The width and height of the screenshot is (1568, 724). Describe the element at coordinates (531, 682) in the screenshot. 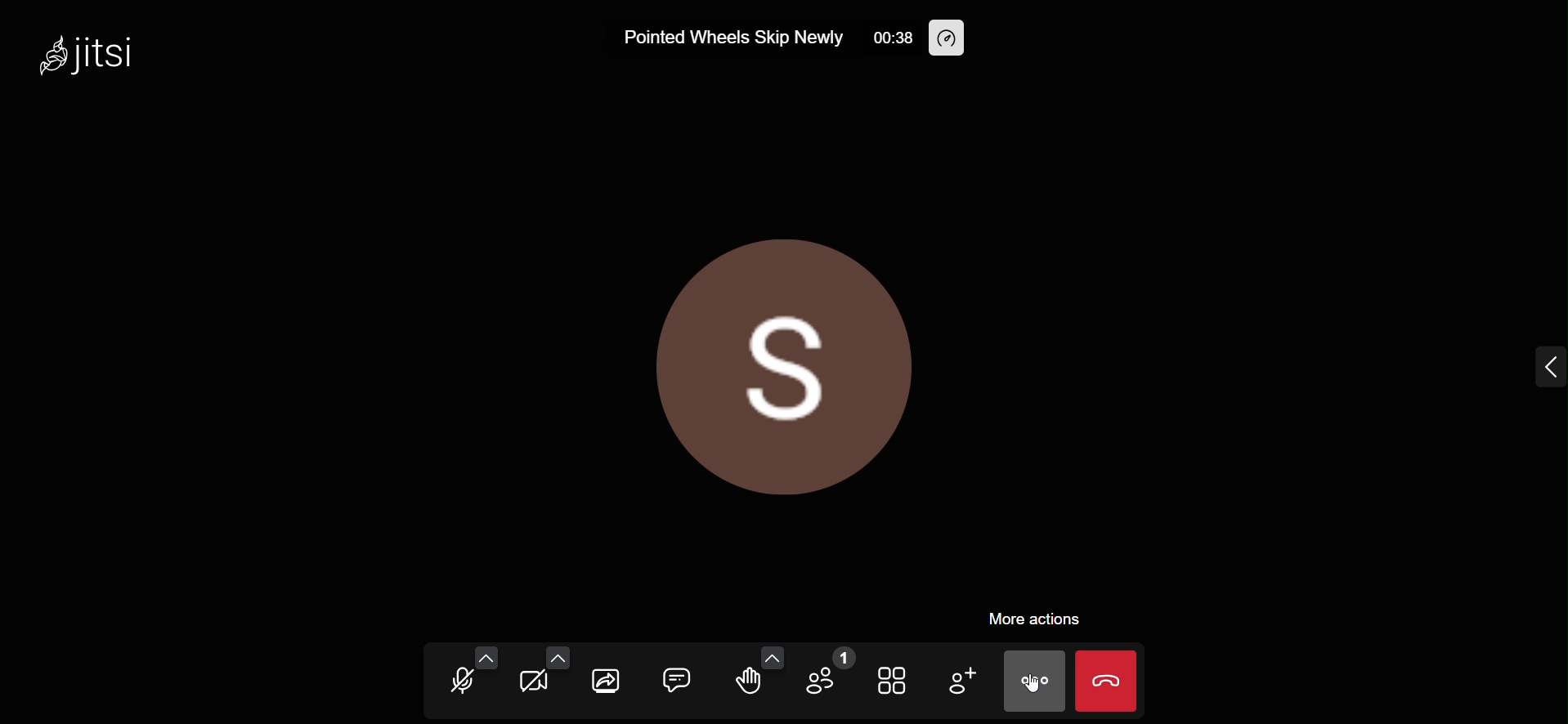

I see `start your camera` at that location.